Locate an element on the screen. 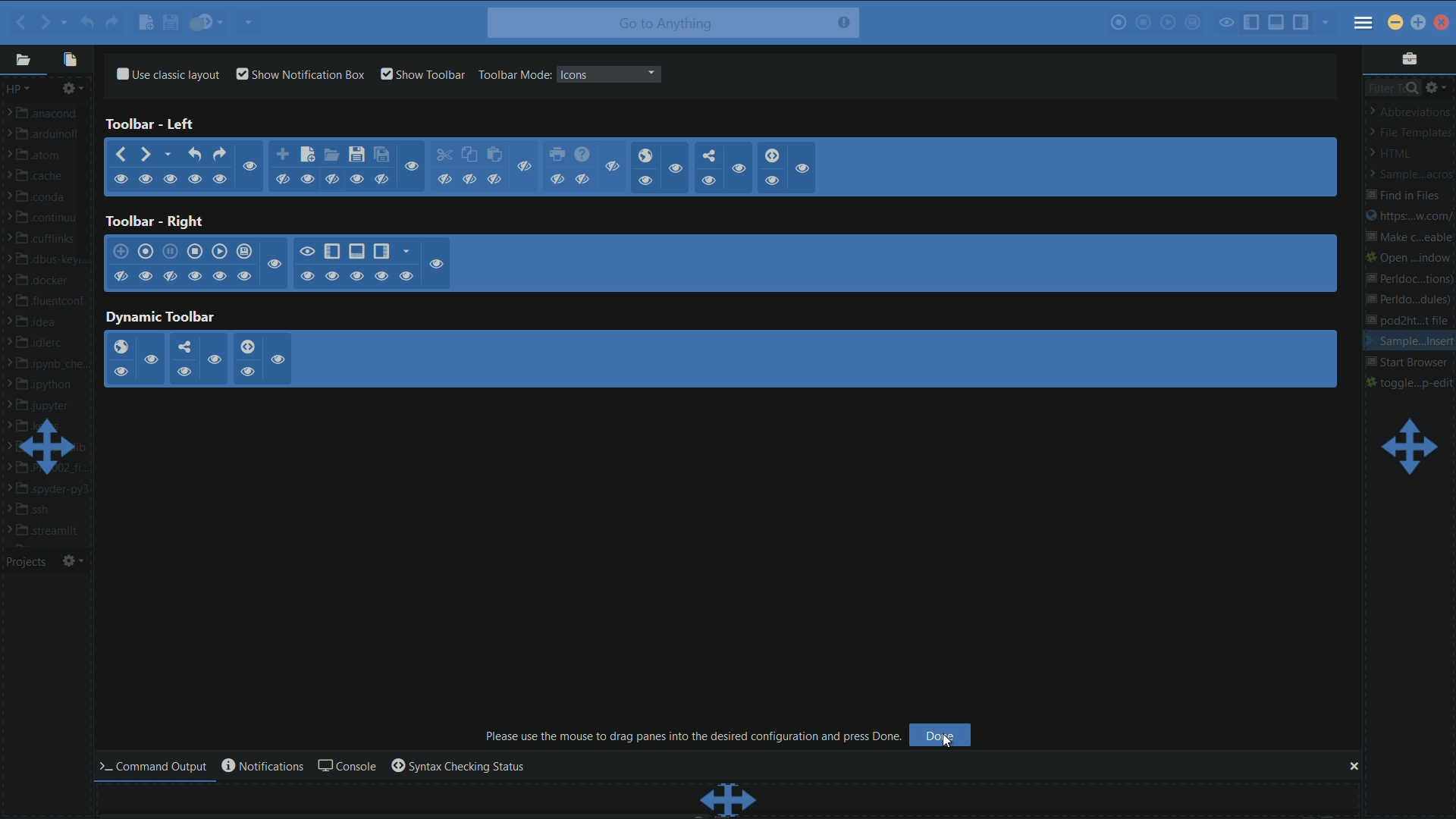  sample ...across is located at coordinates (1407, 174).